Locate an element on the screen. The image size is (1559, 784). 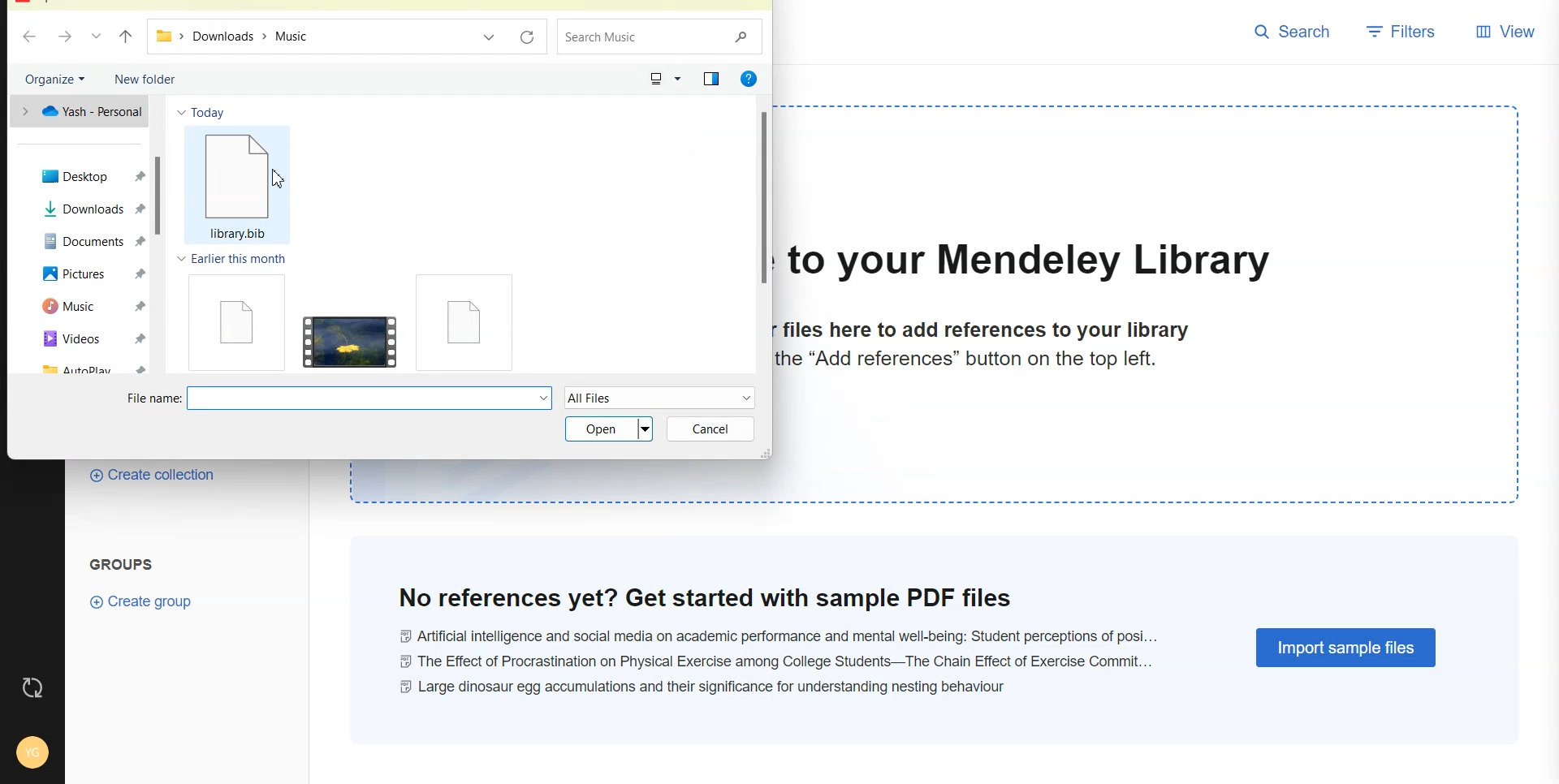
Auto Sync is located at coordinates (30, 687).